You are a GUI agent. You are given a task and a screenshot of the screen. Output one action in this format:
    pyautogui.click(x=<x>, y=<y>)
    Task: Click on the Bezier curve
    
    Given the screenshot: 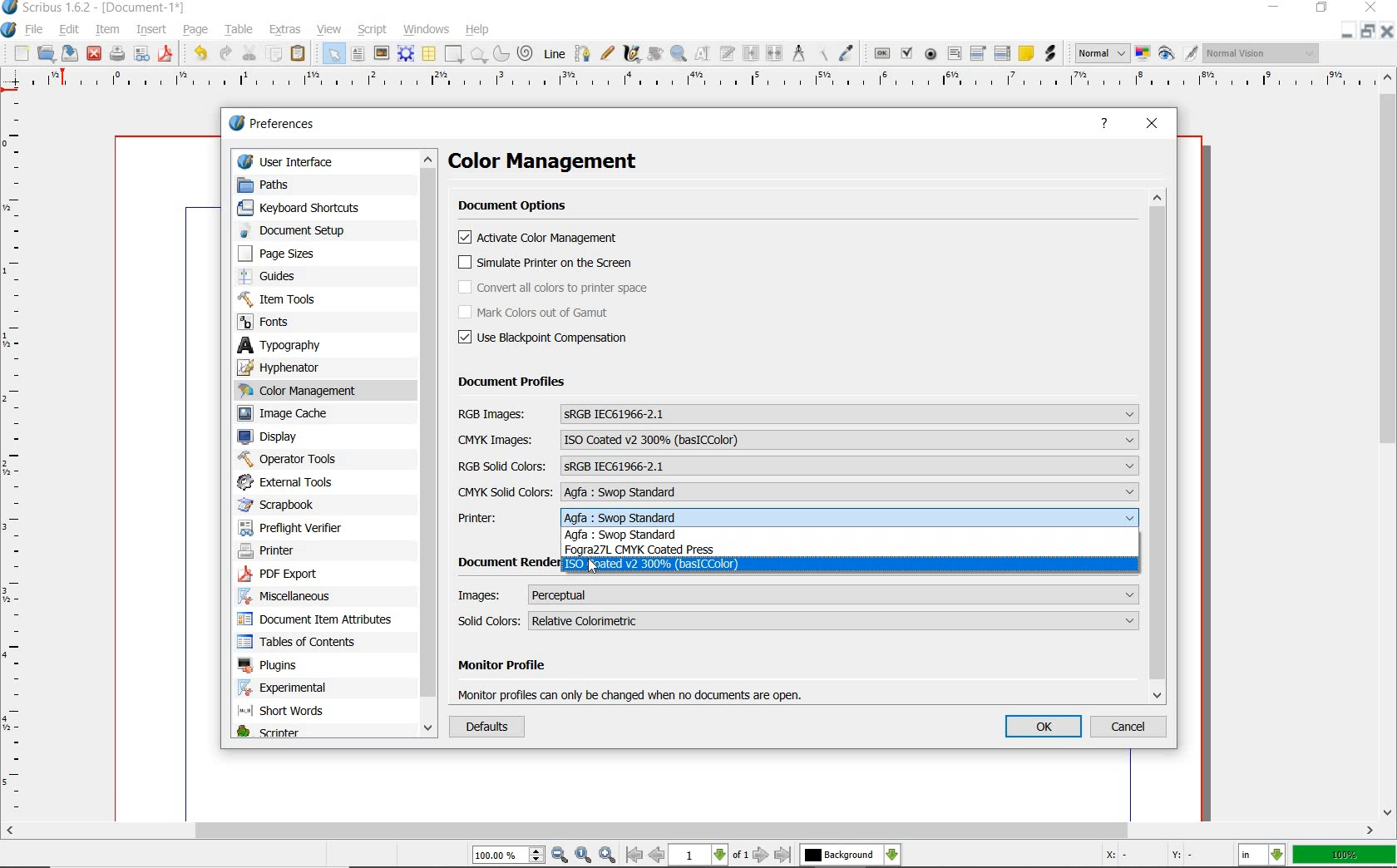 What is the action you would take?
    pyautogui.click(x=582, y=52)
    